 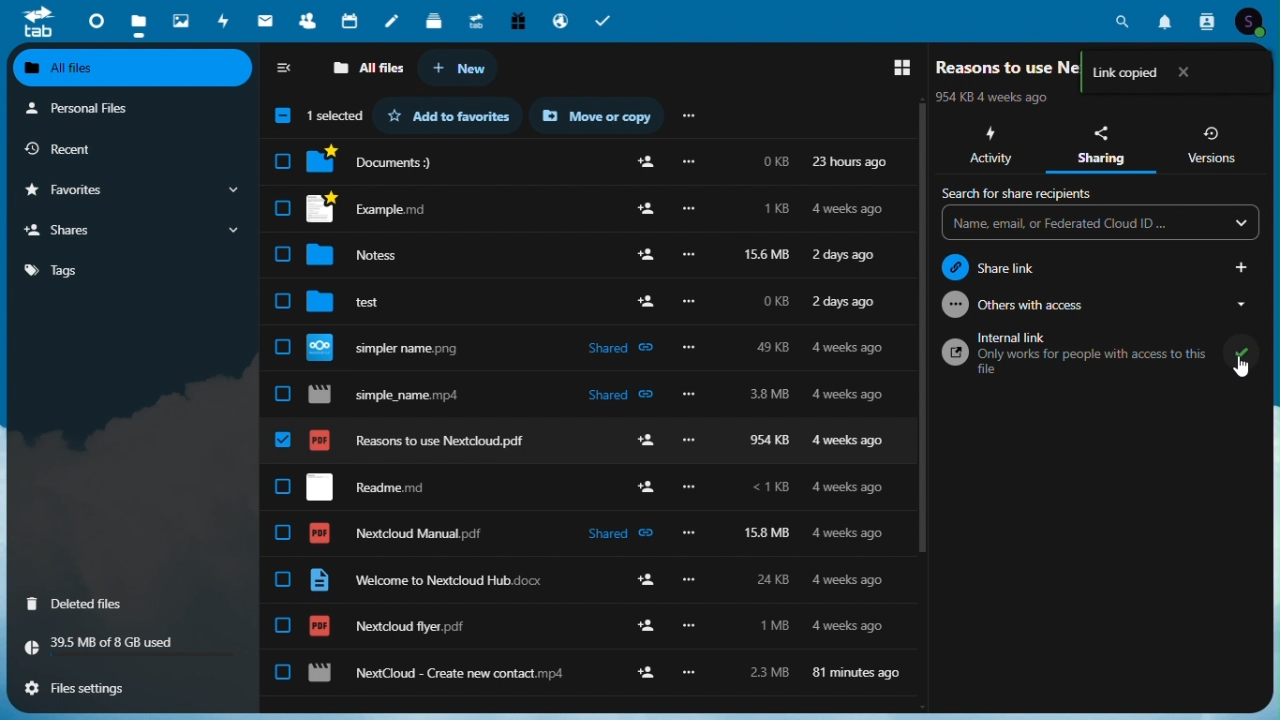 What do you see at coordinates (181, 19) in the screenshot?
I see `Photos` at bounding box center [181, 19].